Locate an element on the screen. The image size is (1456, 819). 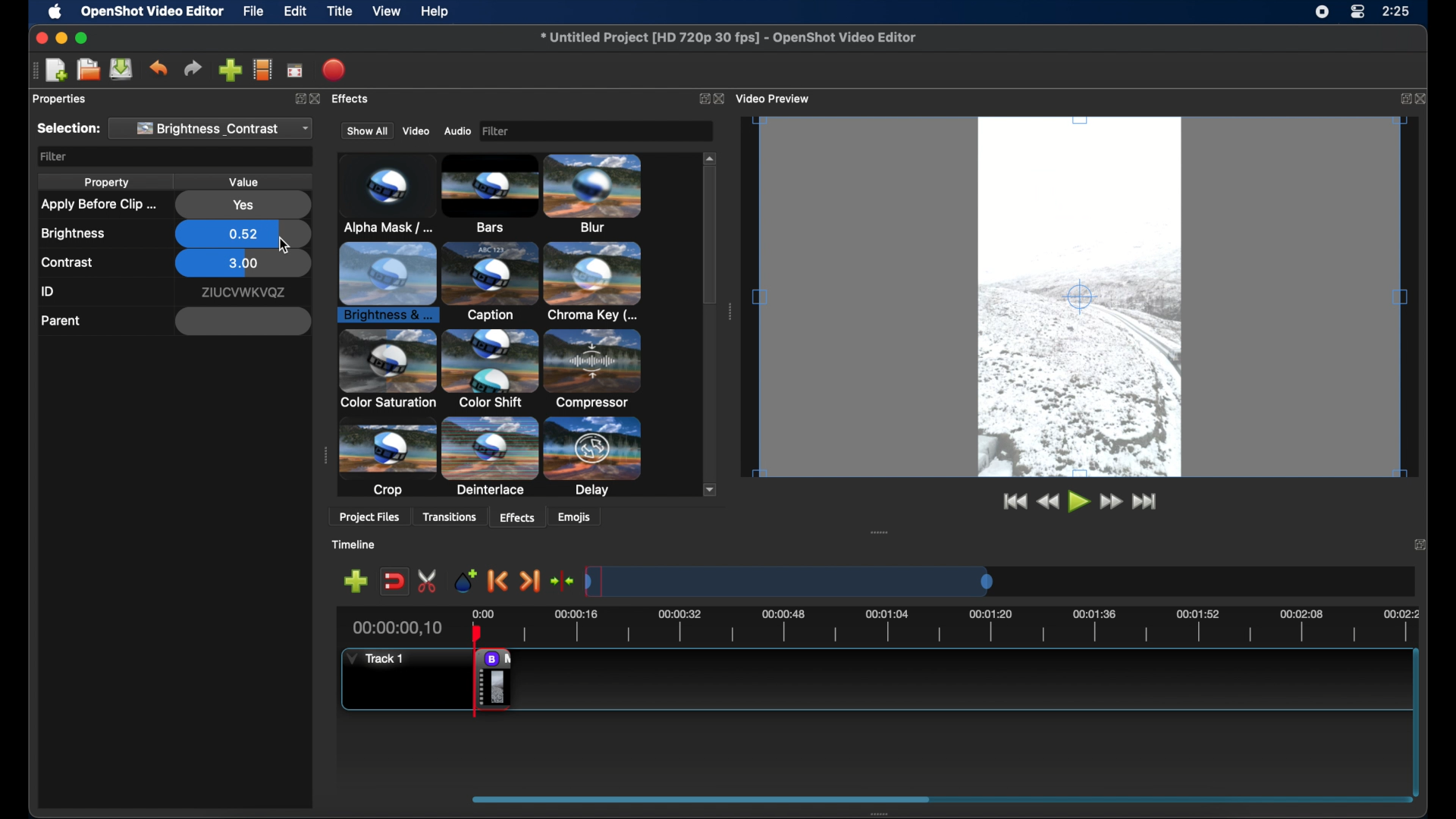
properties is located at coordinates (60, 99).